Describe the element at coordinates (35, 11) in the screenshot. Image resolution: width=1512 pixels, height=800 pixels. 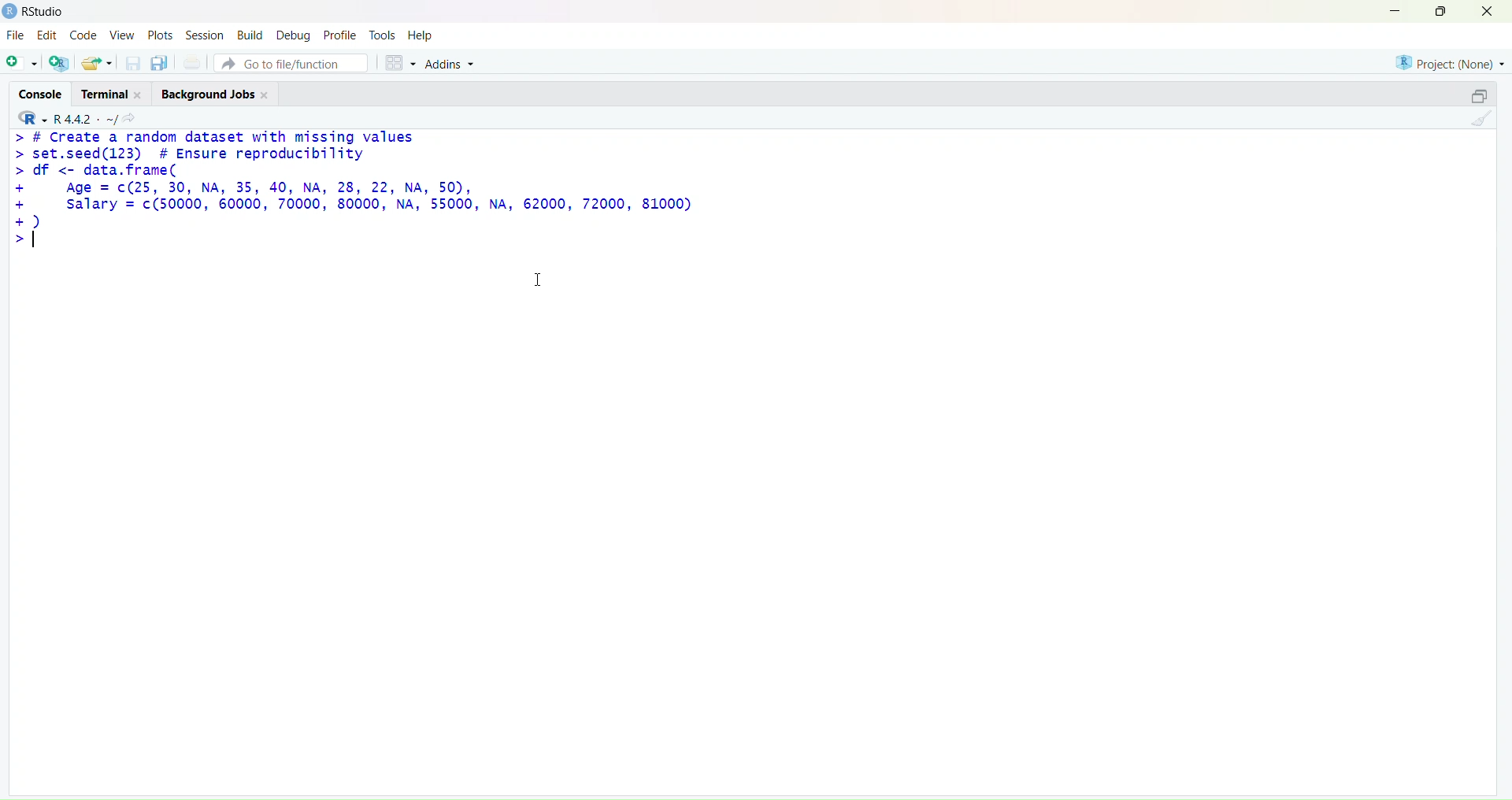
I see `Rstudio` at that location.